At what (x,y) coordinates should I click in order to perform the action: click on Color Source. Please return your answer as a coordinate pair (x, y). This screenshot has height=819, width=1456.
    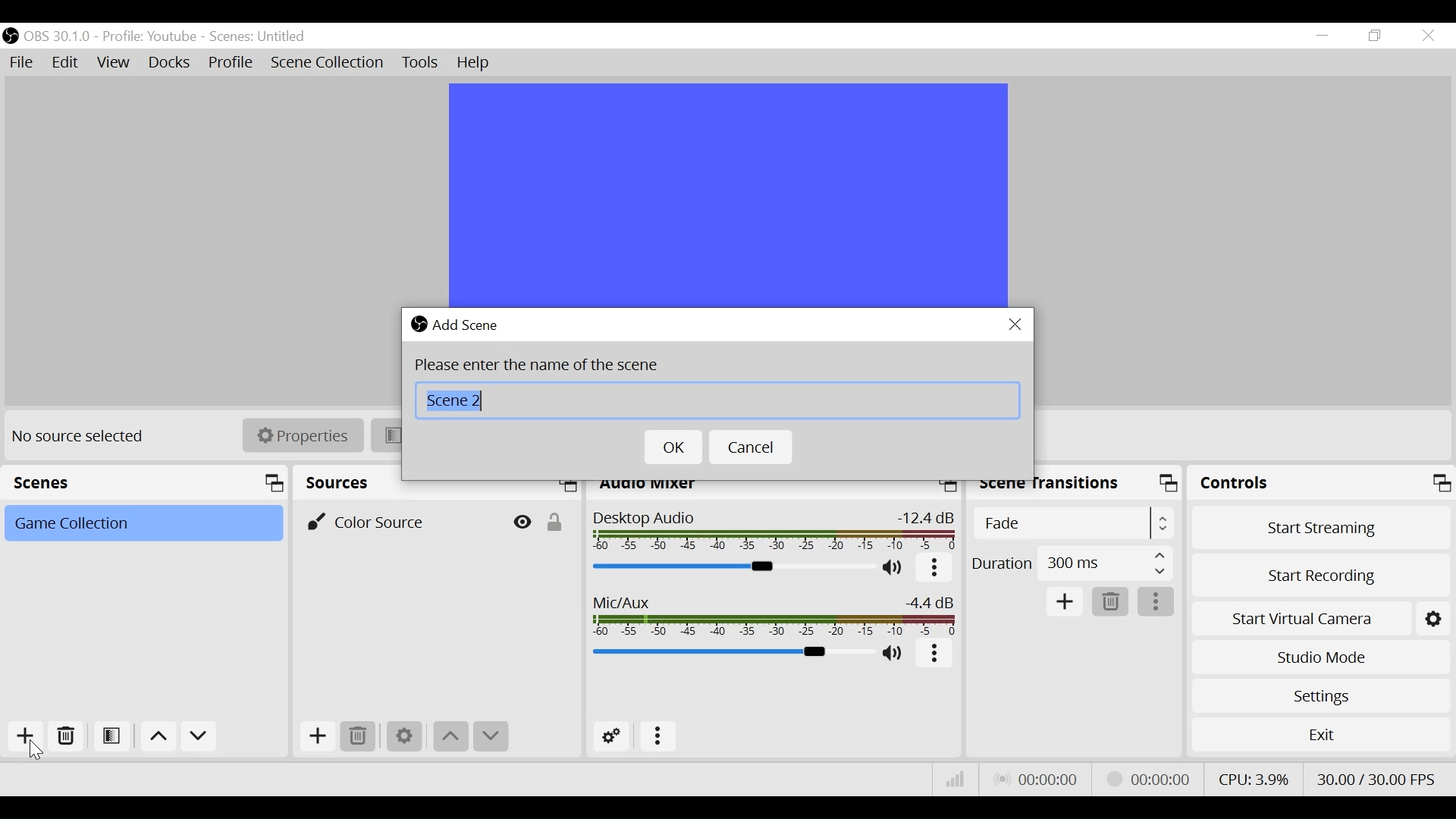
    Looking at the image, I should click on (402, 521).